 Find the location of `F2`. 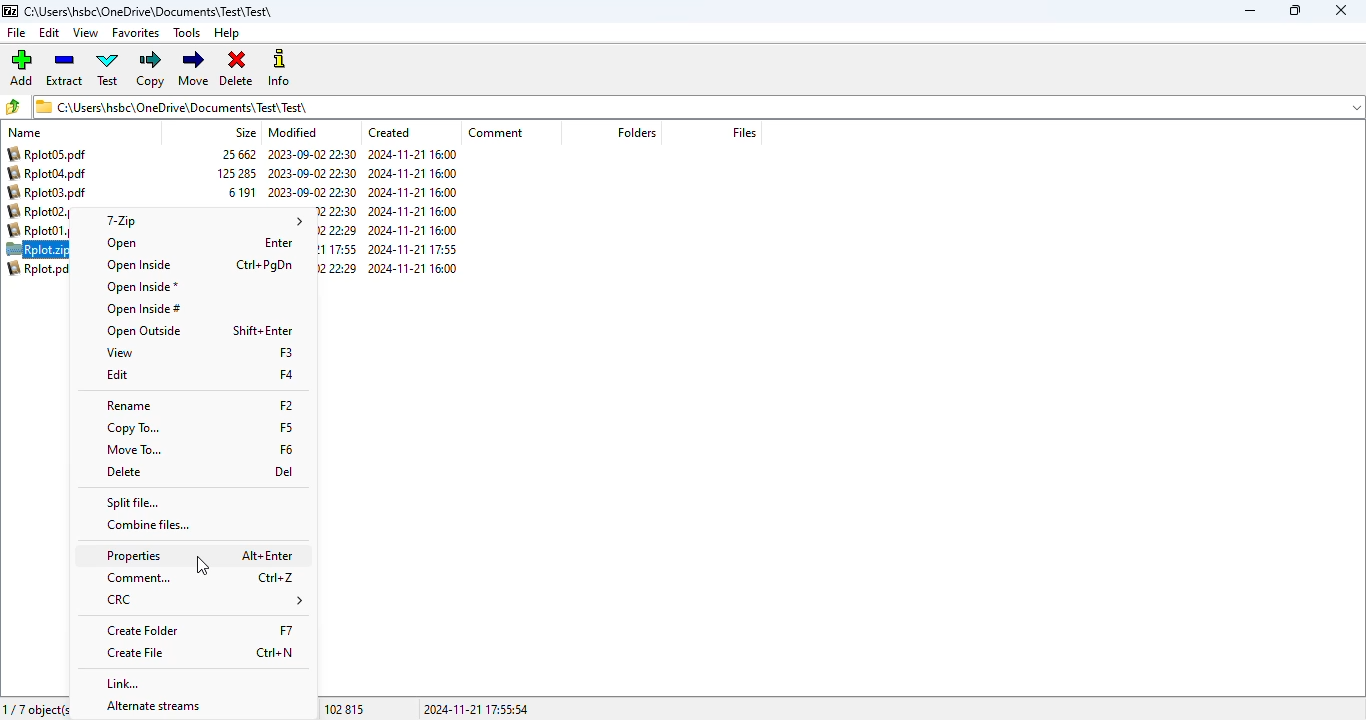

F2 is located at coordinates (287, 406).